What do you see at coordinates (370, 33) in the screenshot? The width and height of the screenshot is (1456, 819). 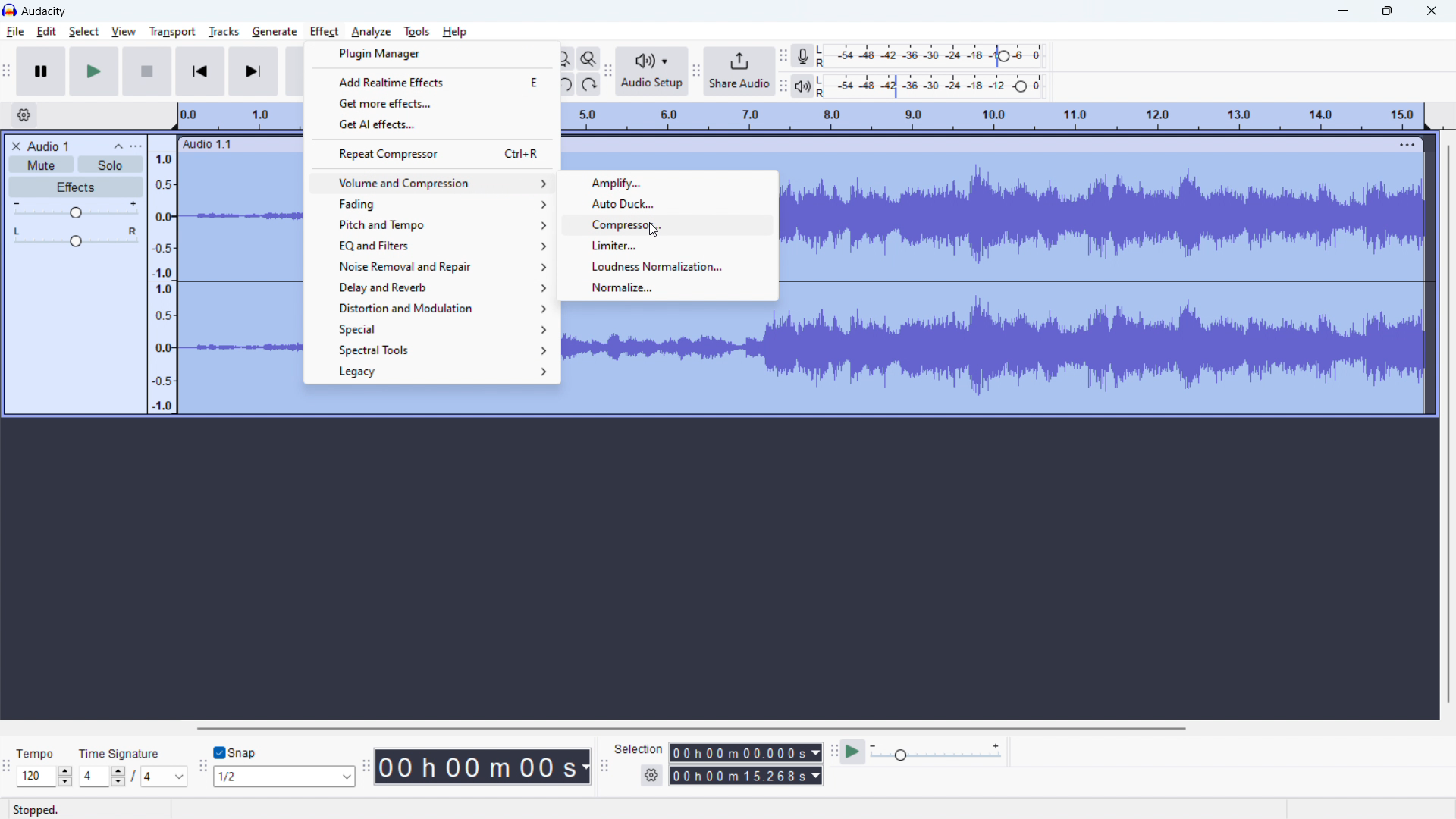 I see `analyze` at bounding box center [370, 33].